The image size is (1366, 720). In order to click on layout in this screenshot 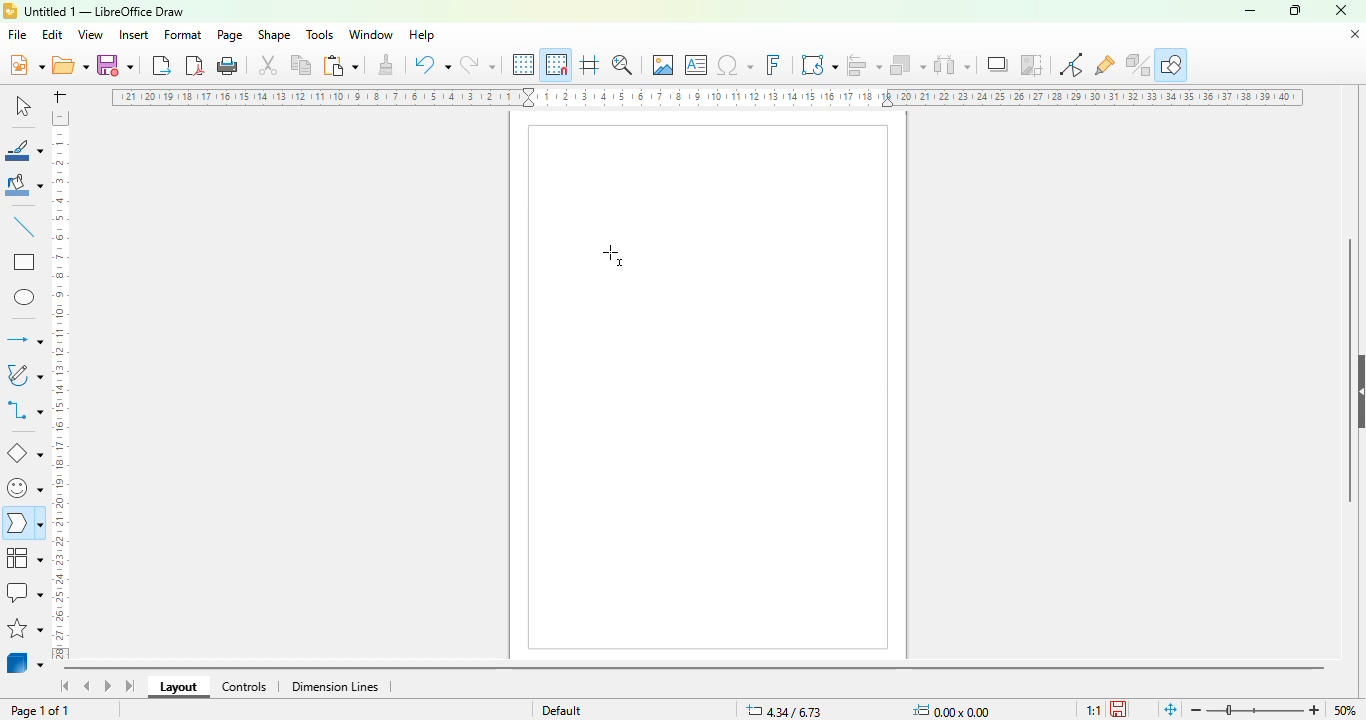, I will do `click(178, 687)`.